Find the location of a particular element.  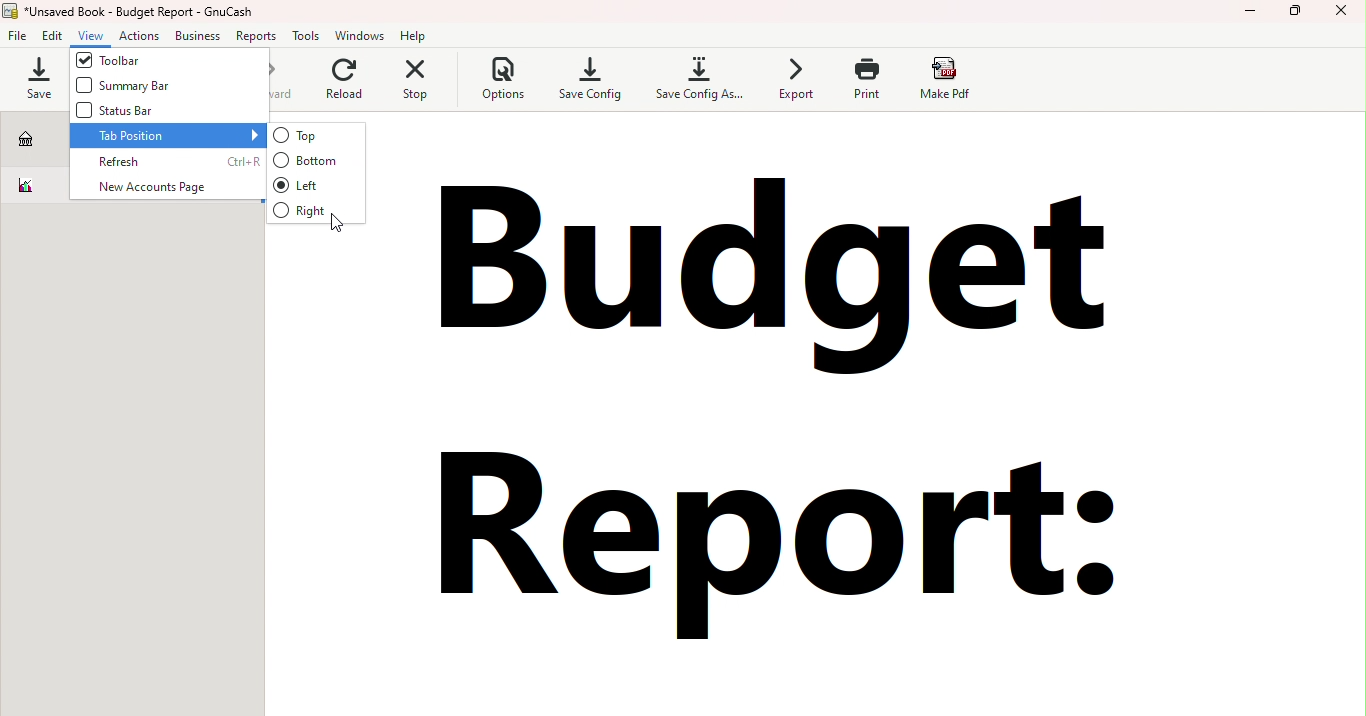

Bottom is located at coordinates (308, 160).